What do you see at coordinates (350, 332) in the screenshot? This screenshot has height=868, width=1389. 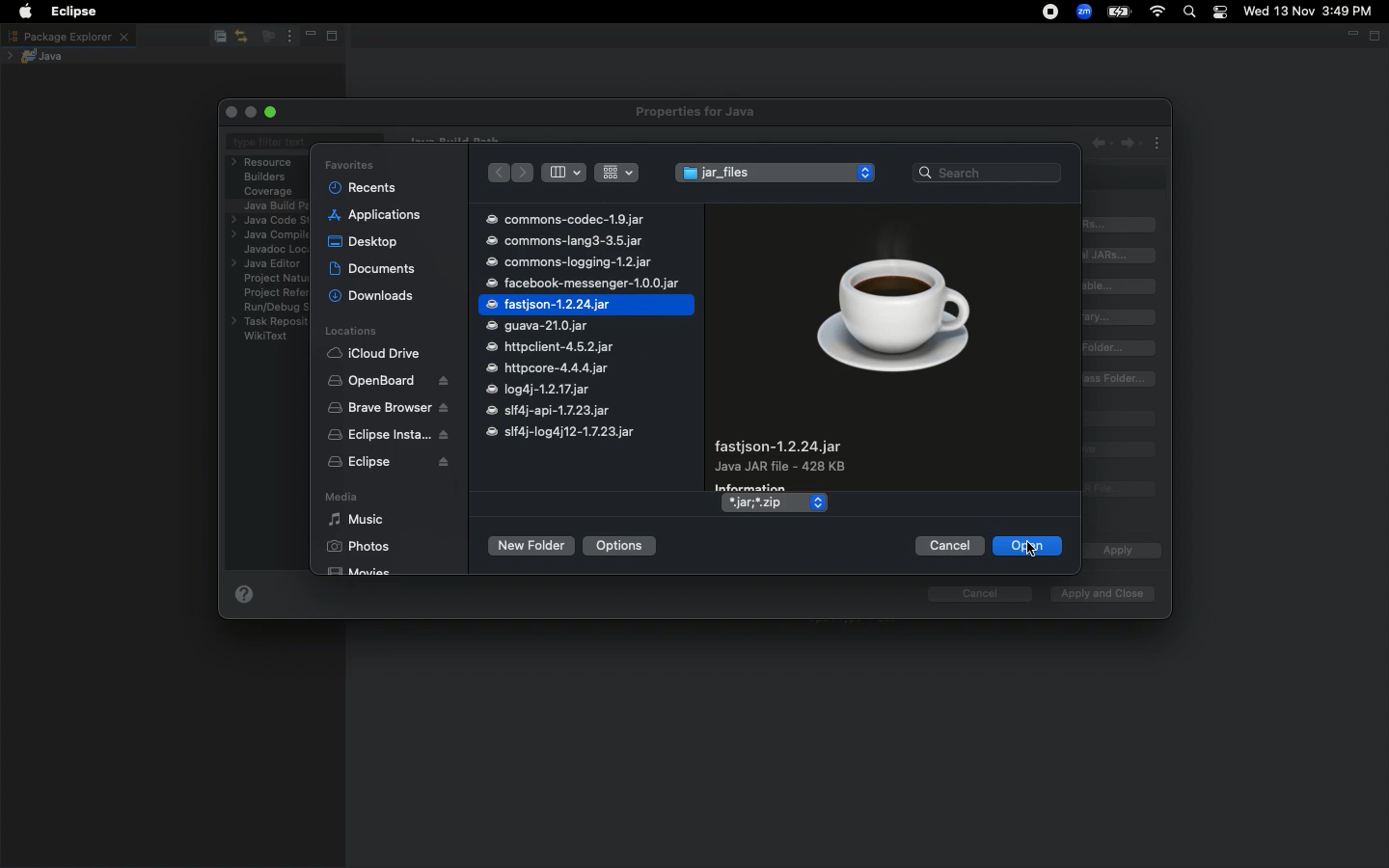 I see `Locations` at bounding box center [350, 332].